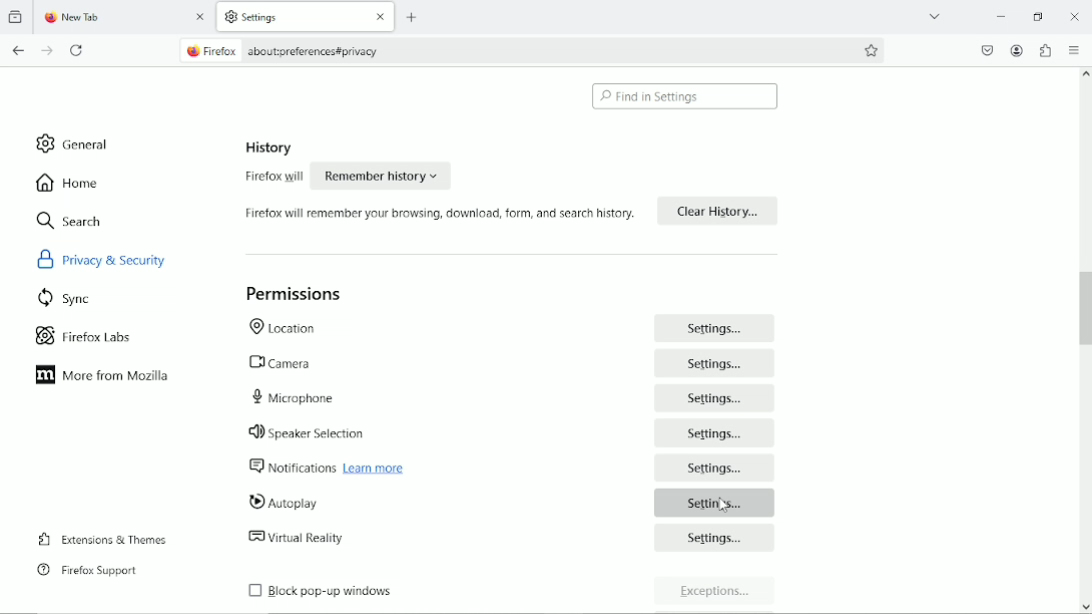  I want to click on firefox will remember you browsing, download, form and search history., so click(434, 218).